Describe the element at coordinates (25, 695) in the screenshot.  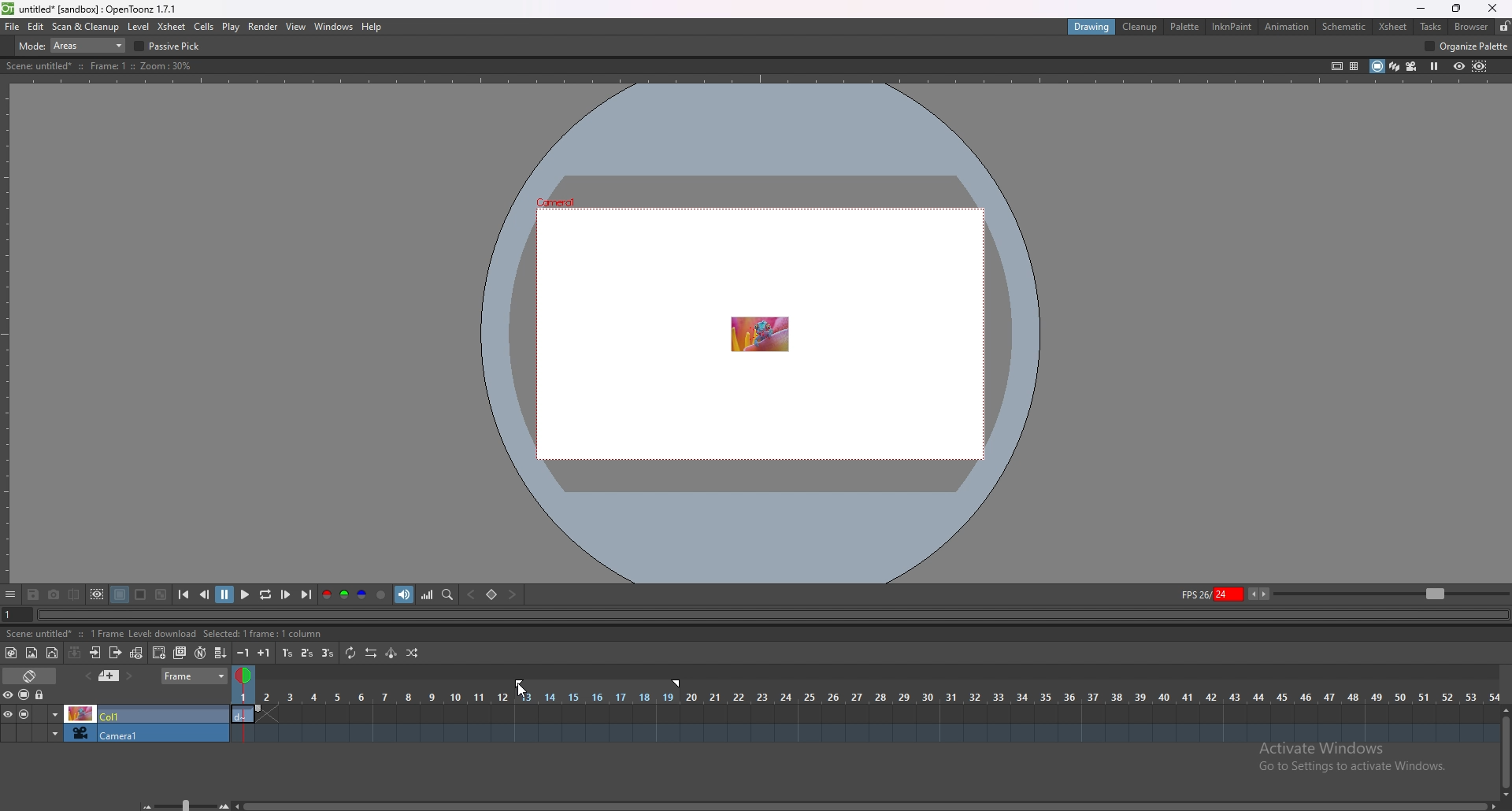
I see `camera stand visibility` at that location.